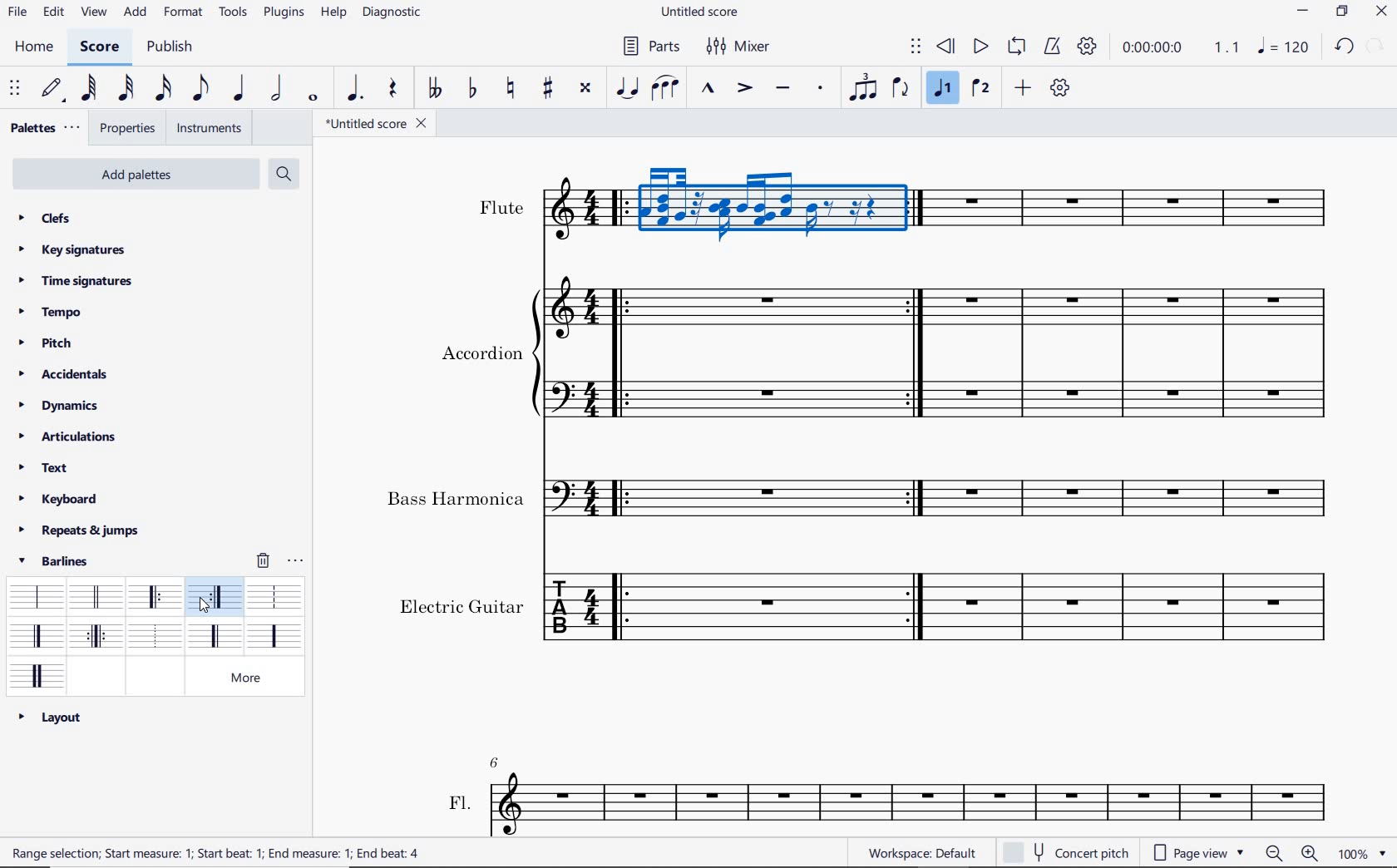  I want to click on quarter note, so click(239, 89).